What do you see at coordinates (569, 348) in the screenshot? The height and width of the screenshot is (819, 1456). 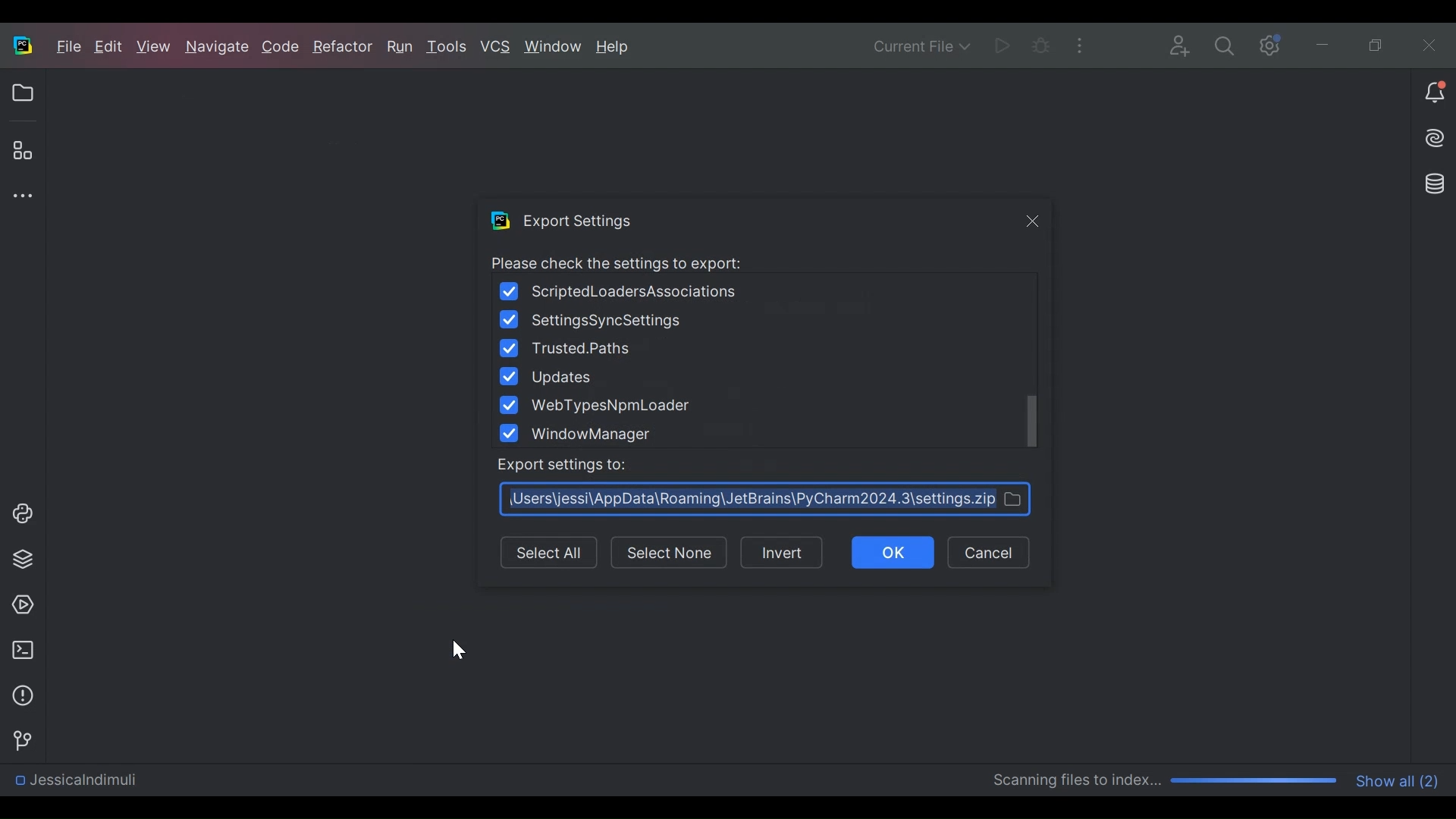 I see `(un)check Trusted.Paths` at bounding box center [569, 348].